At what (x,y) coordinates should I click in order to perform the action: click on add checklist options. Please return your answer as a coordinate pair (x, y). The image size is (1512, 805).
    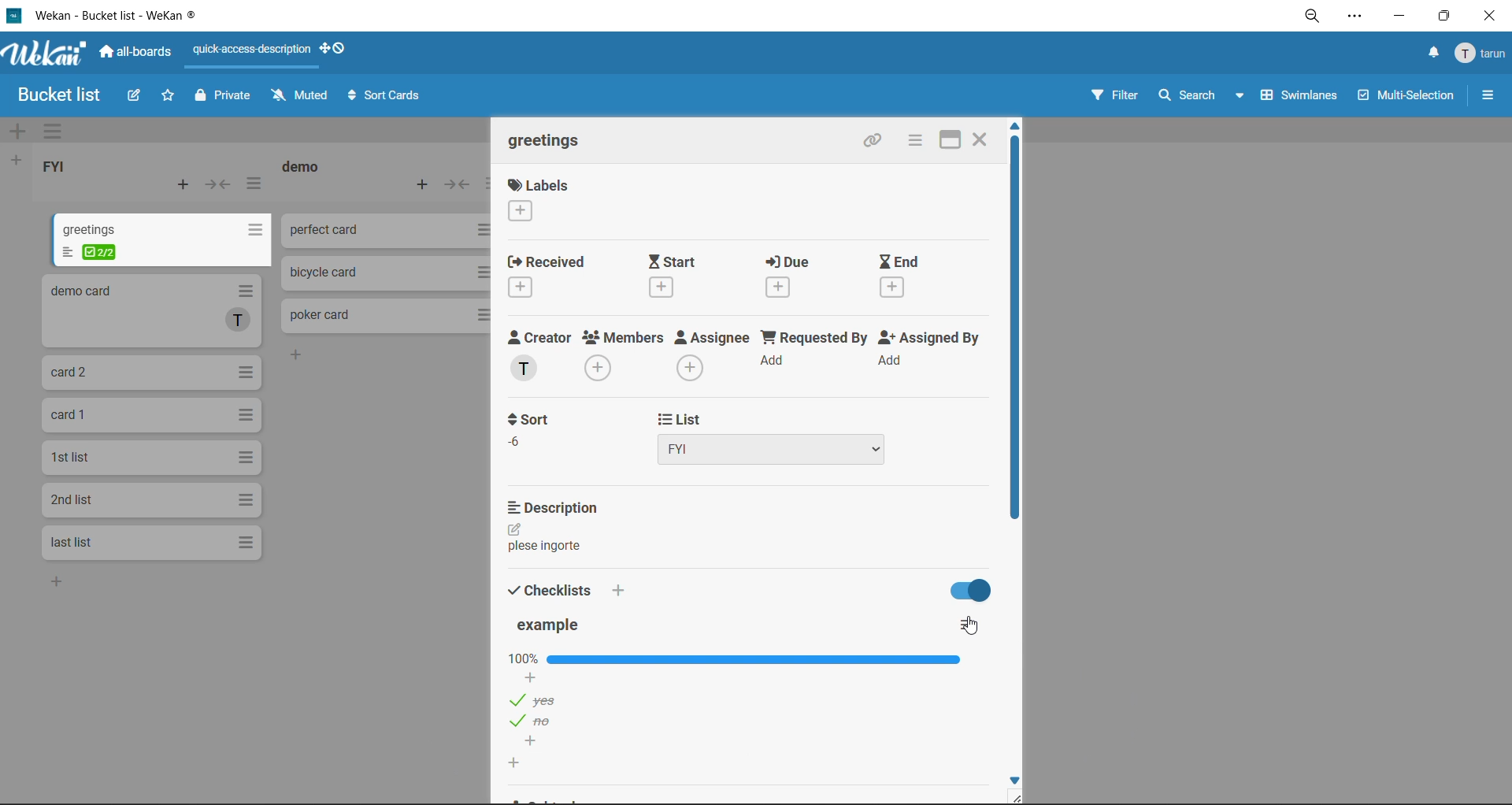
    Looking at the image, I should click on (533, 677).